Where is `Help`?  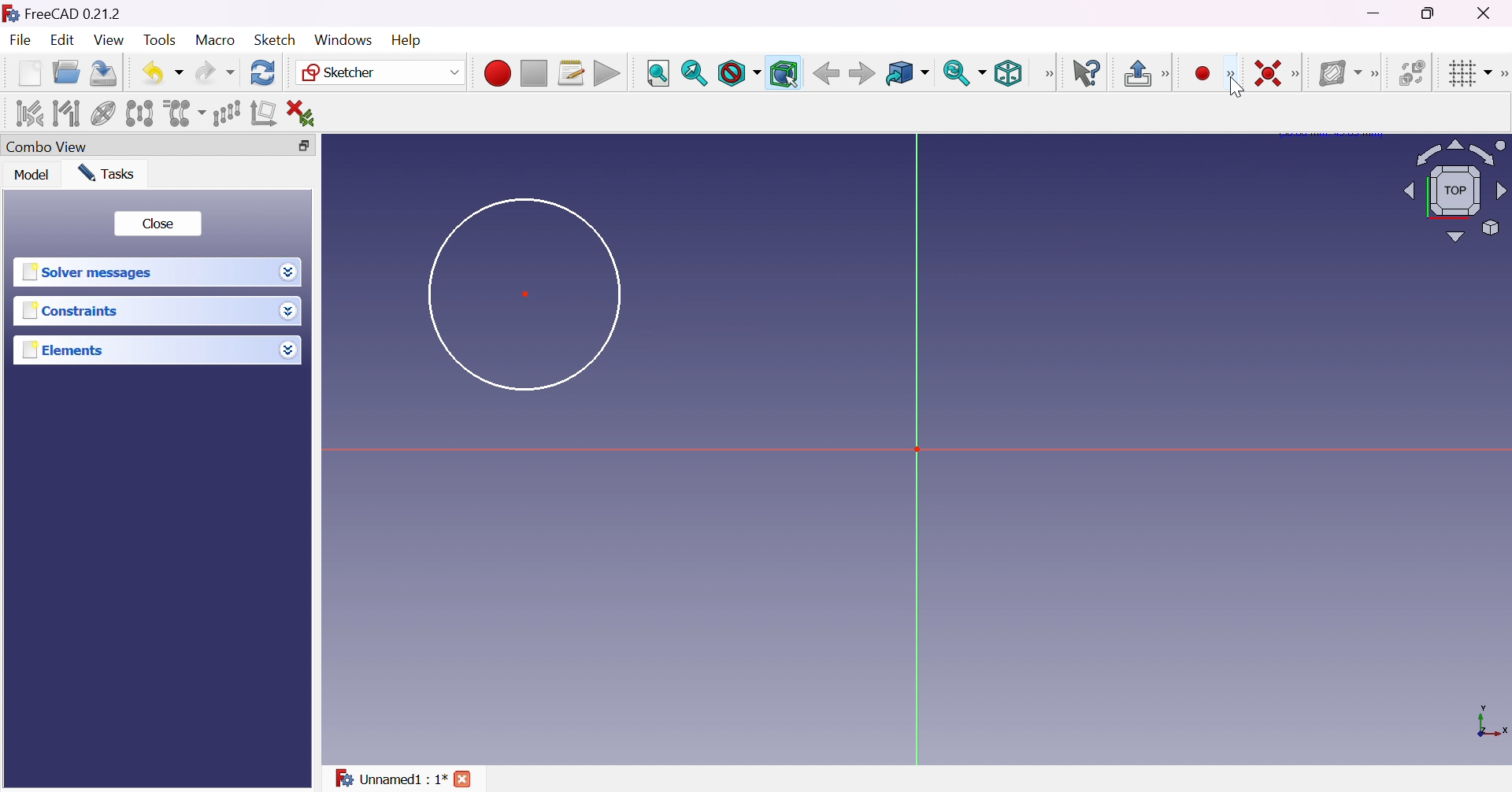 Help is located at coordinates (408, 40).